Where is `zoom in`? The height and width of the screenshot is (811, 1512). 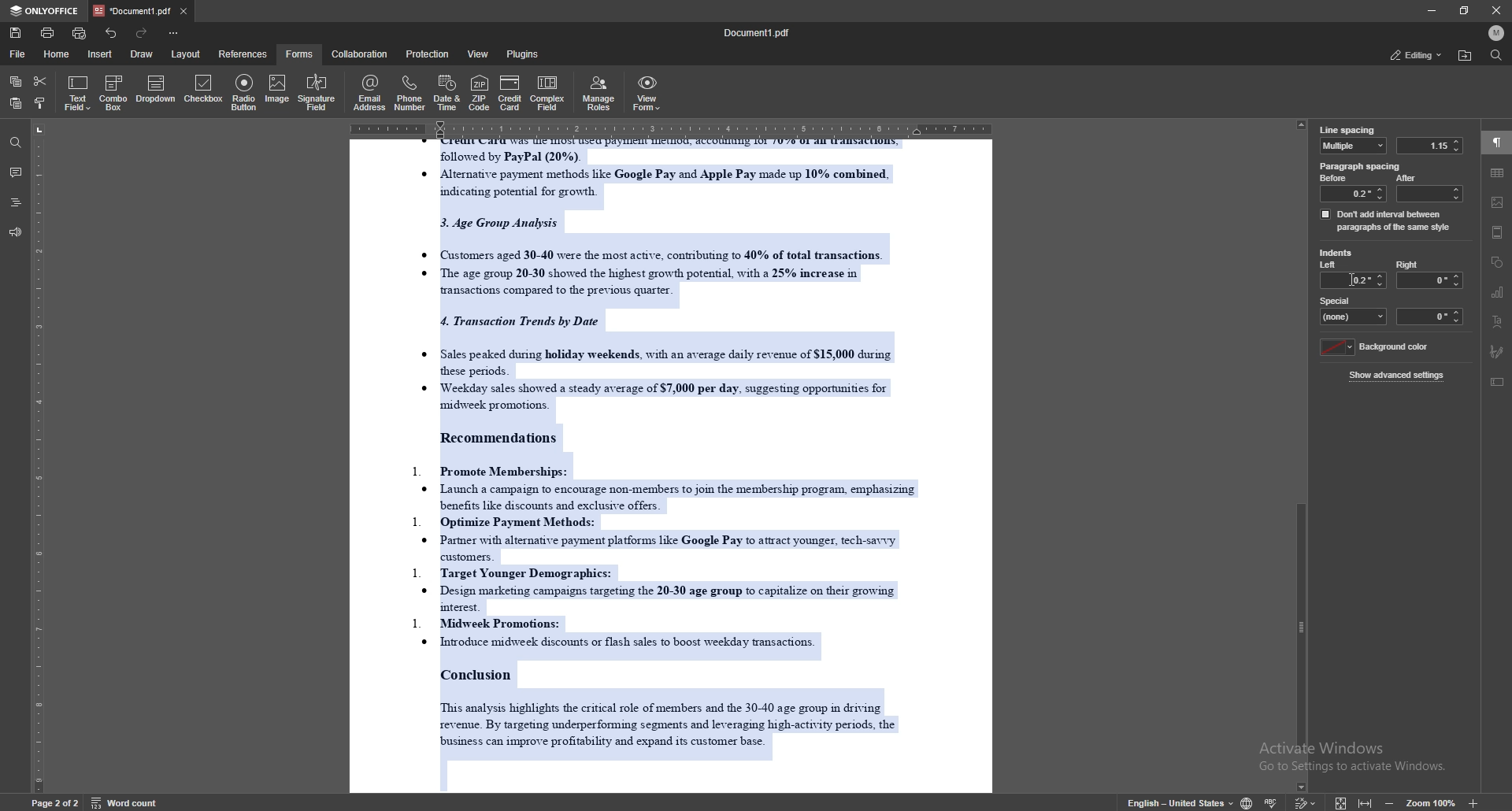 zoom in is located at coordinates (1472, 803).